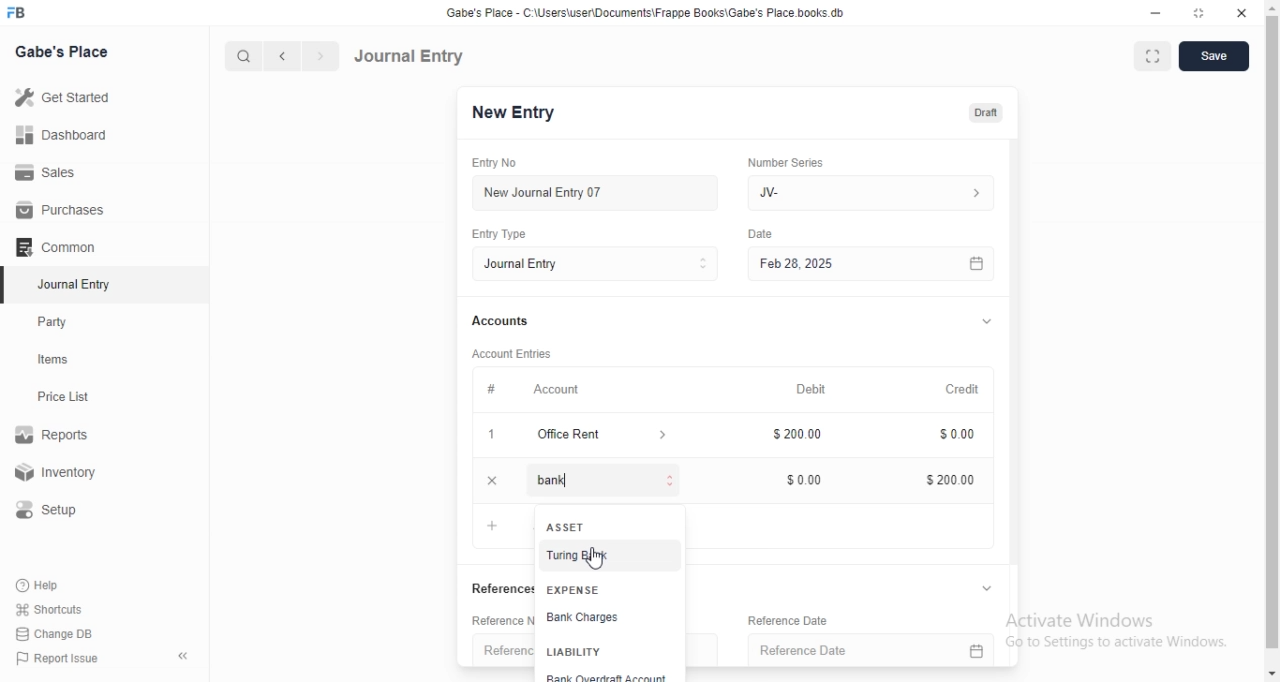 The height and width of the screenshot is (682, 1280). Describe the element at coordinates (597, 561) in the screenshot. I see `cursor` at that location.